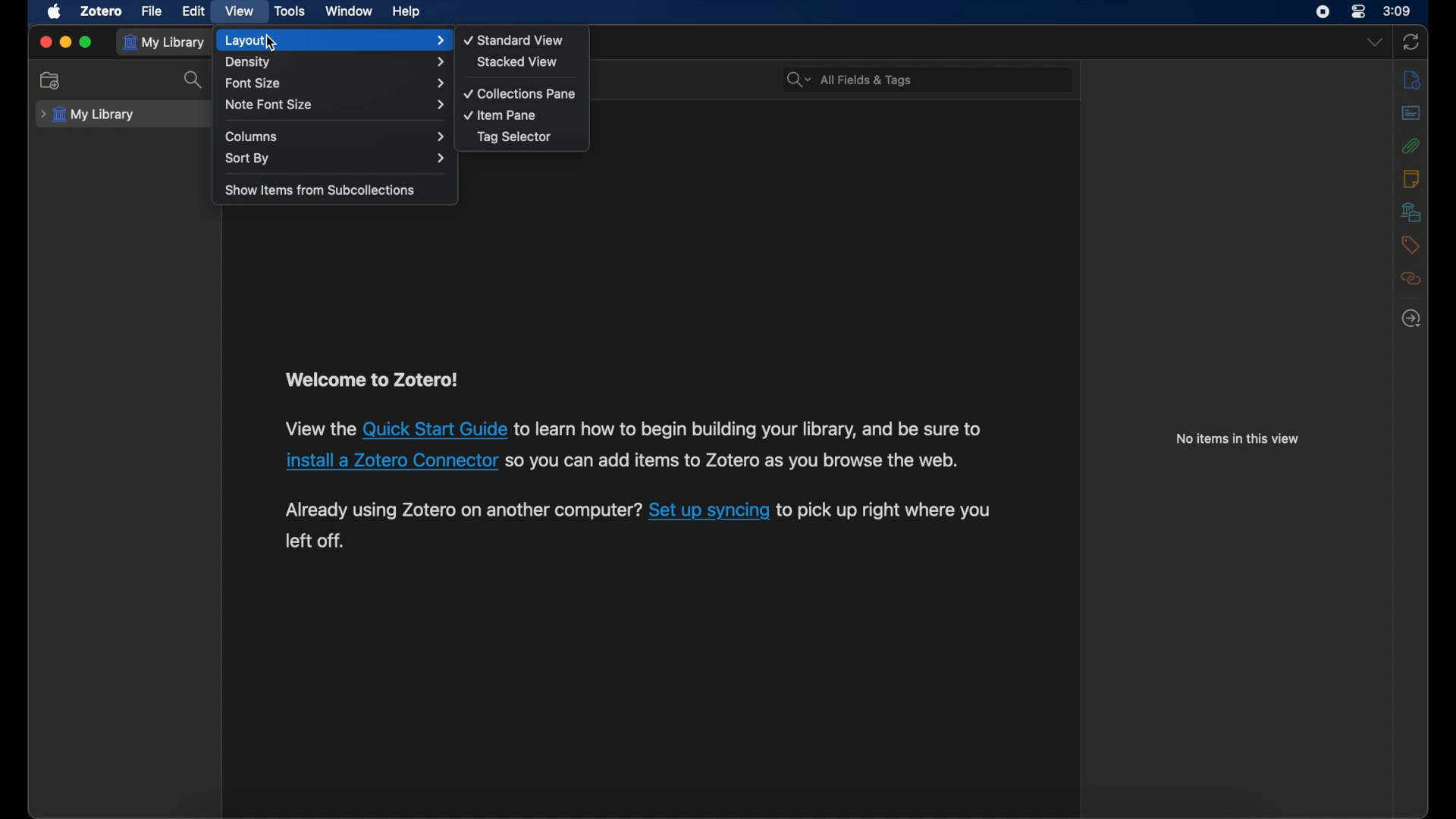 The height and width of the screenshot is (819, 1456). I want to click on sync, so click(1412, 42).